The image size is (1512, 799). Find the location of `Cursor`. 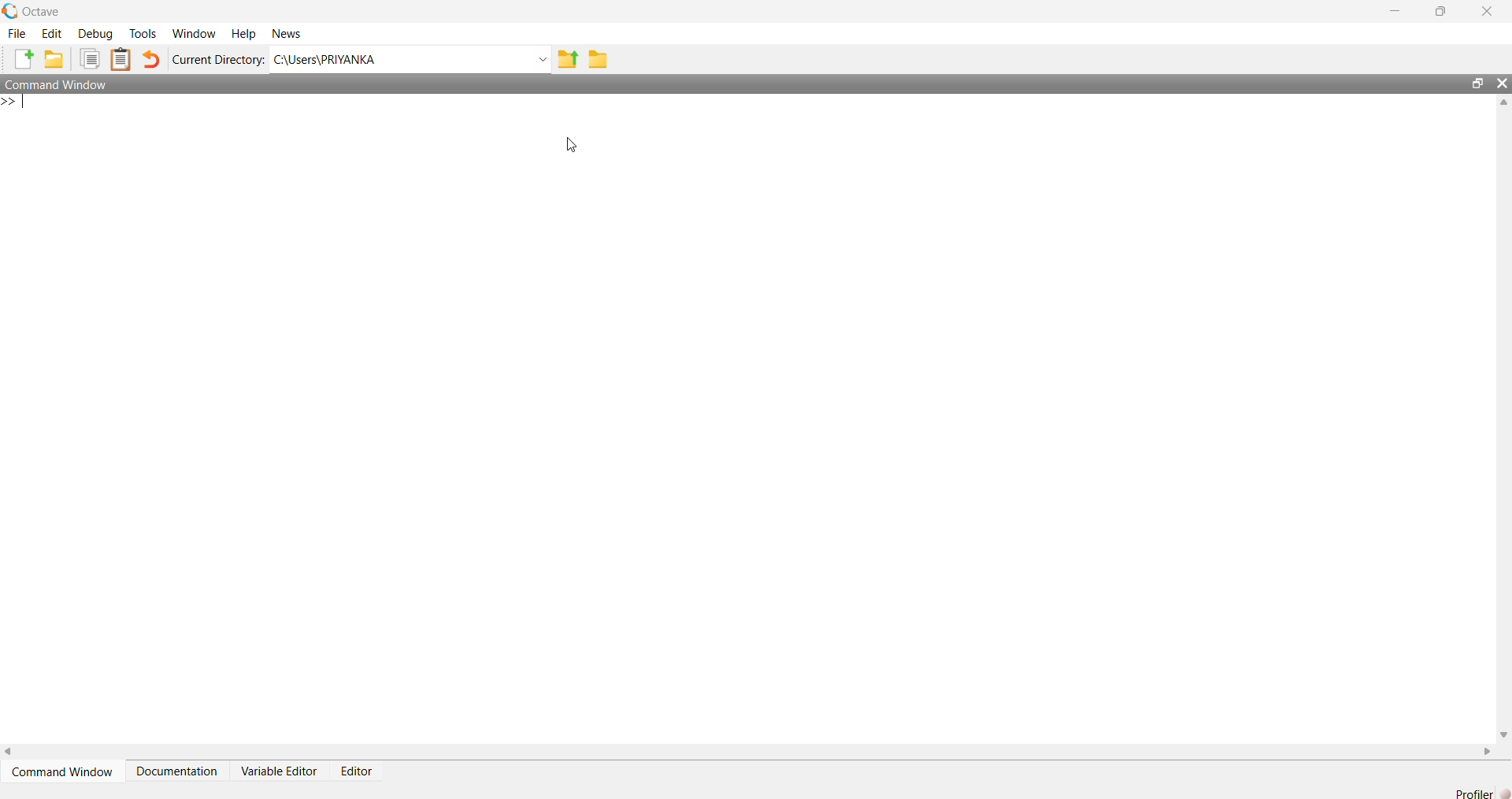

Cursor is located at coordinates (575, 146).